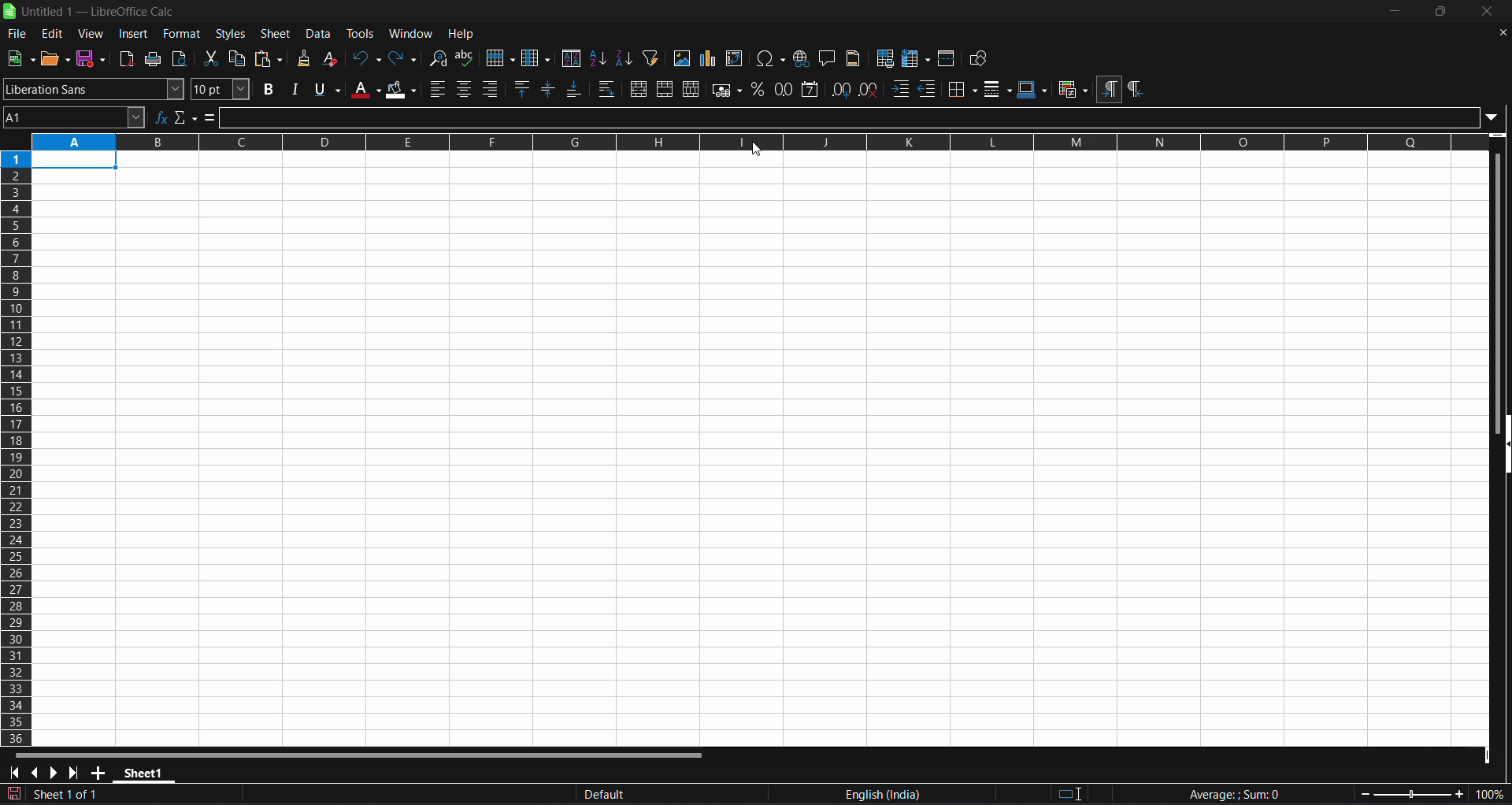  What do you see at coordinates (830, 57) in the screenshot?
I see `insert comment` at bounding box center [830, 57].